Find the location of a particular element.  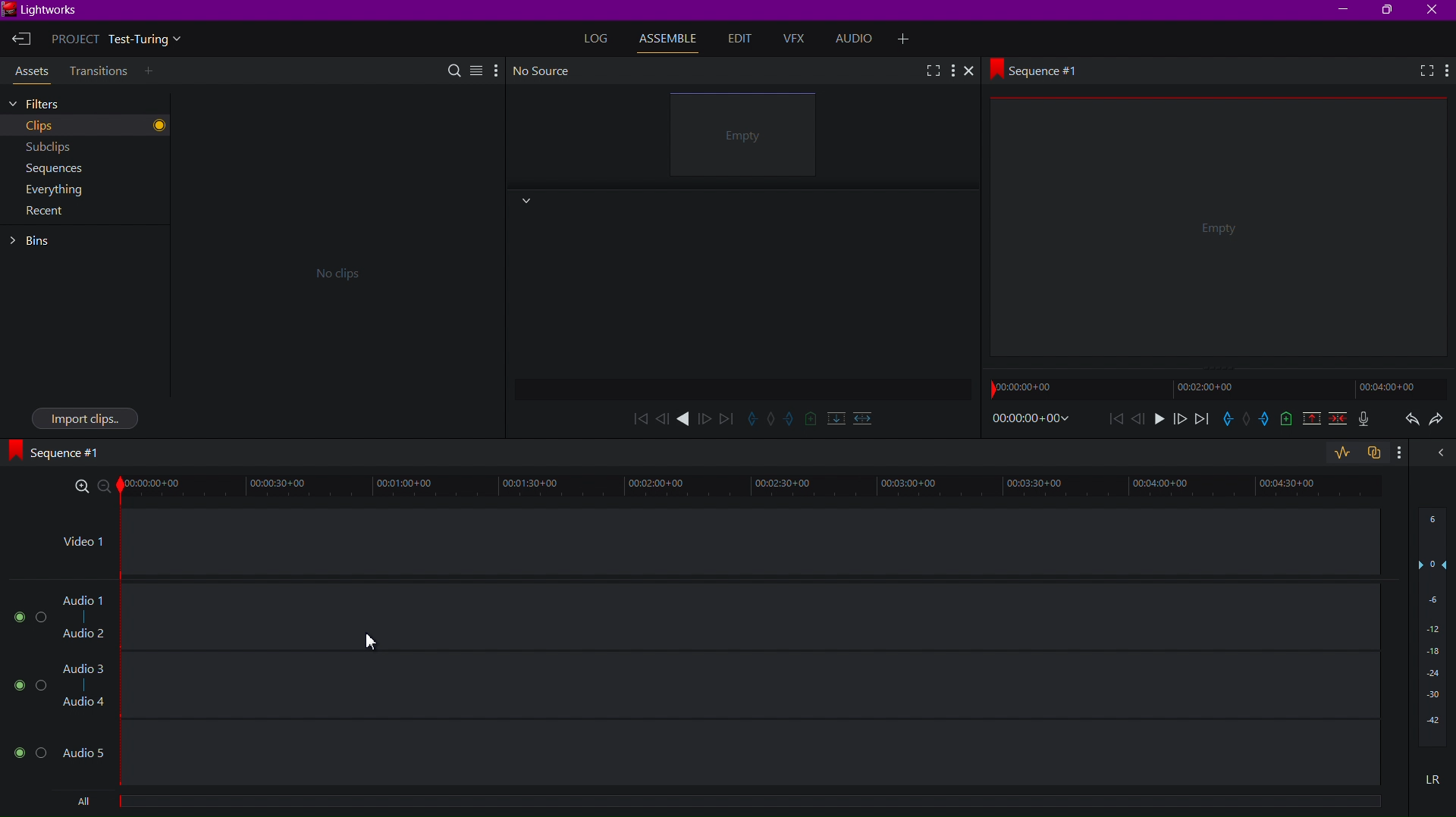

Audio 1 is located at coordinates (83, 600).